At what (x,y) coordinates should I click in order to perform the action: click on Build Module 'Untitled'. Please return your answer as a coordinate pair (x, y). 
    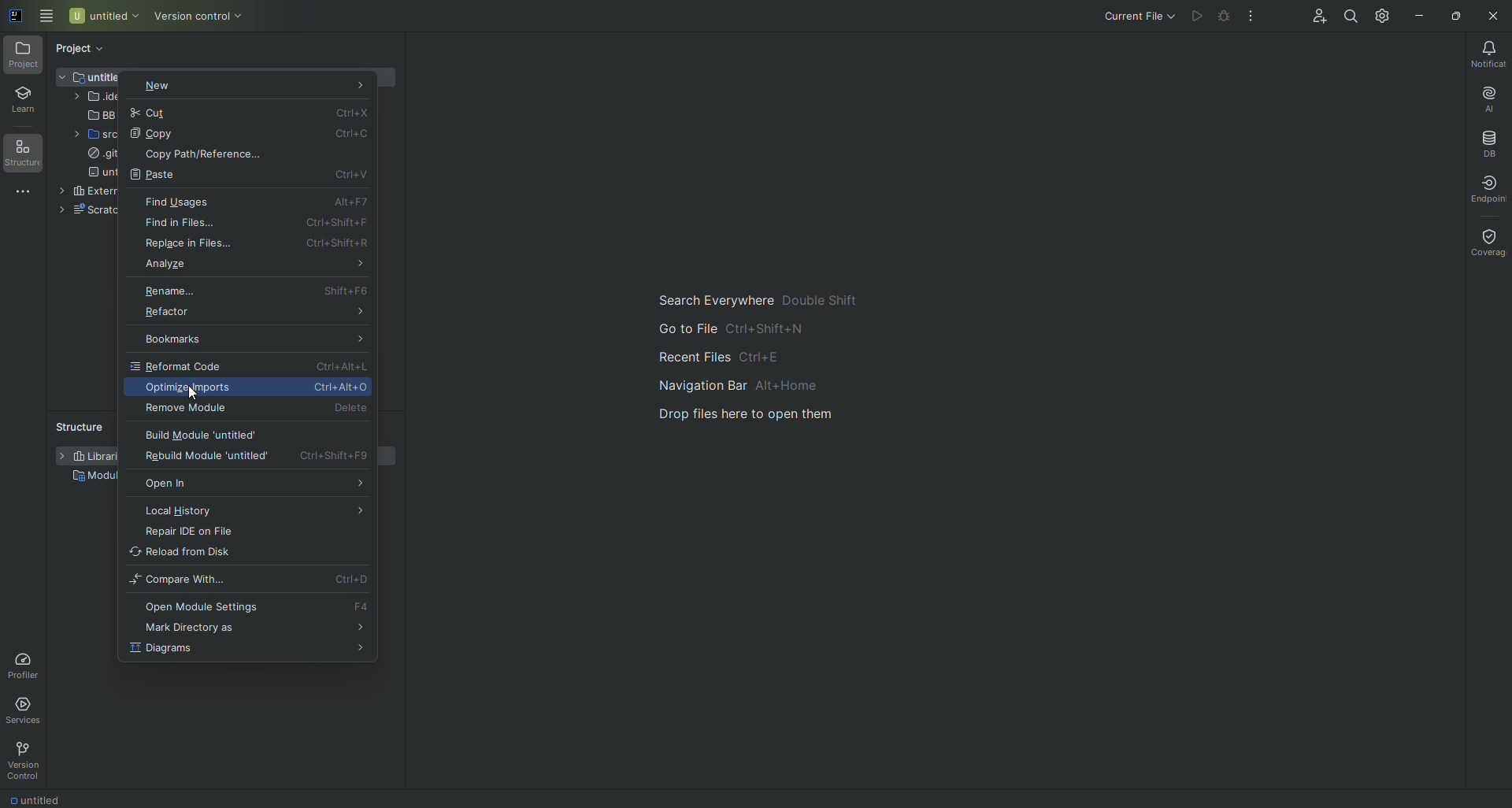
    Looking at the image, I should click on (250, 432).